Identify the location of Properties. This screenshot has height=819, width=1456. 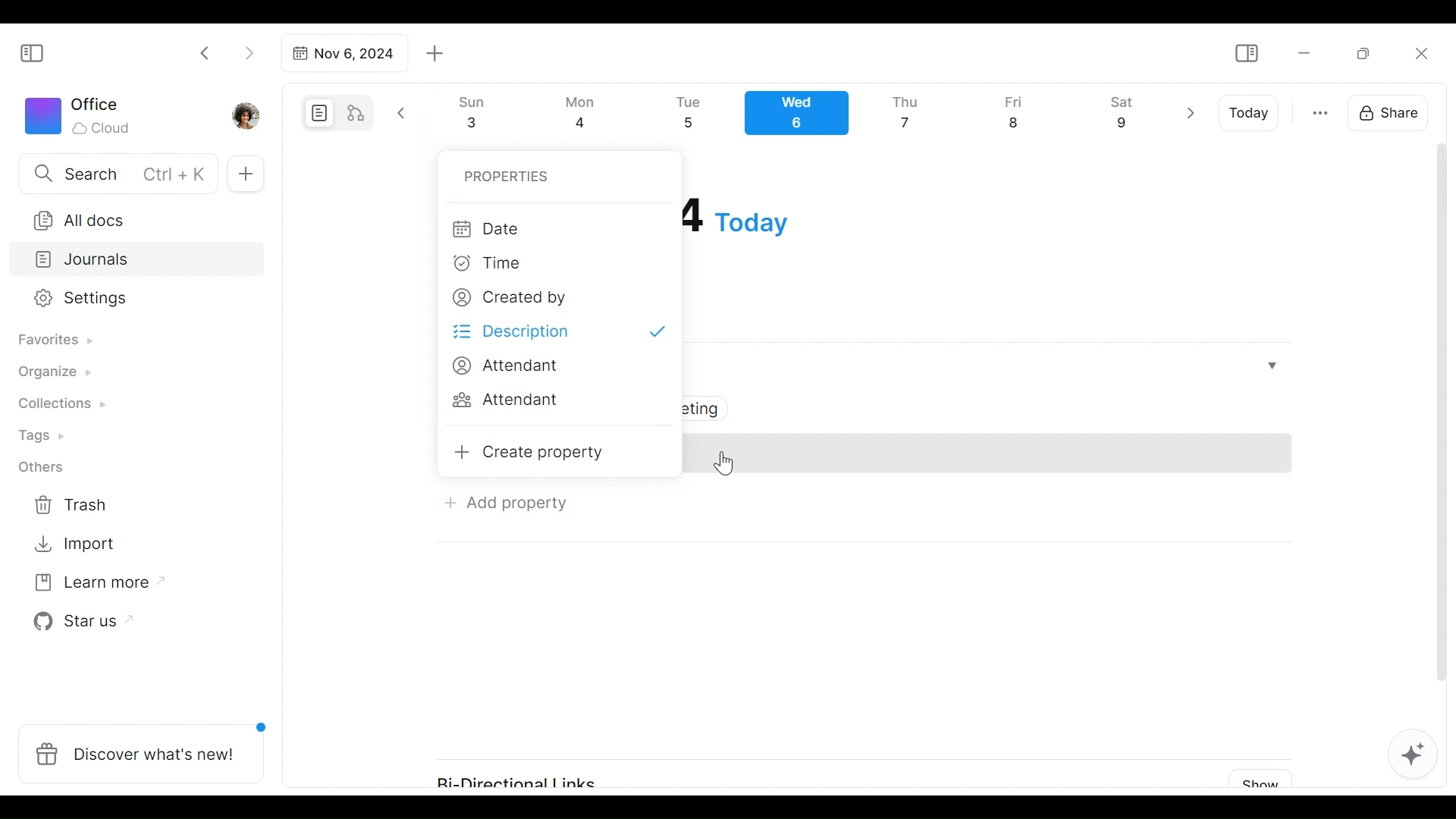
(502, 175).